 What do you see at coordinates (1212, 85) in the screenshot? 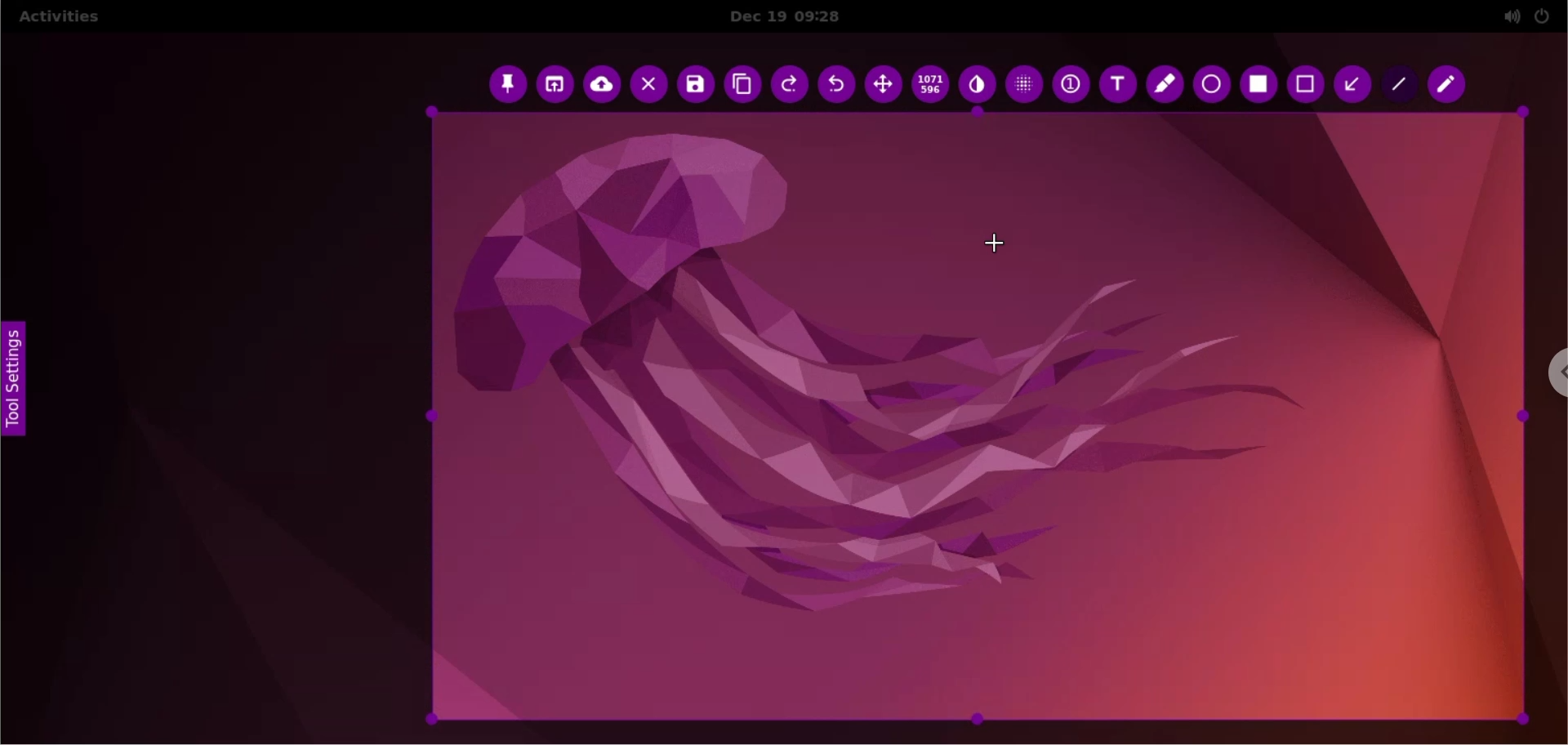
I see `ellipse` at bounding box center [1212, 85].